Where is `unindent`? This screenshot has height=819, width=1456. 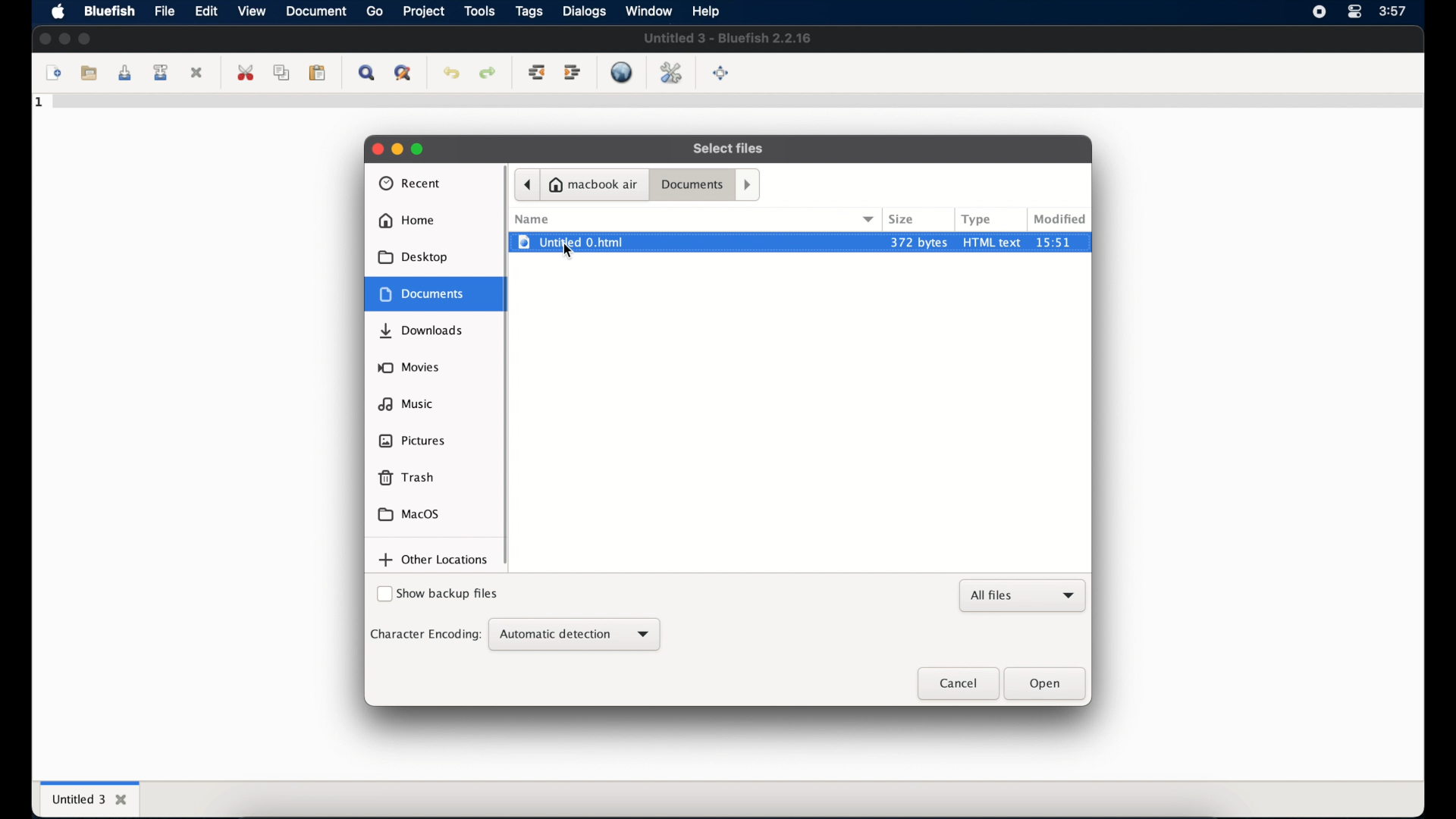
unindent is located at coordinates (537, 74).